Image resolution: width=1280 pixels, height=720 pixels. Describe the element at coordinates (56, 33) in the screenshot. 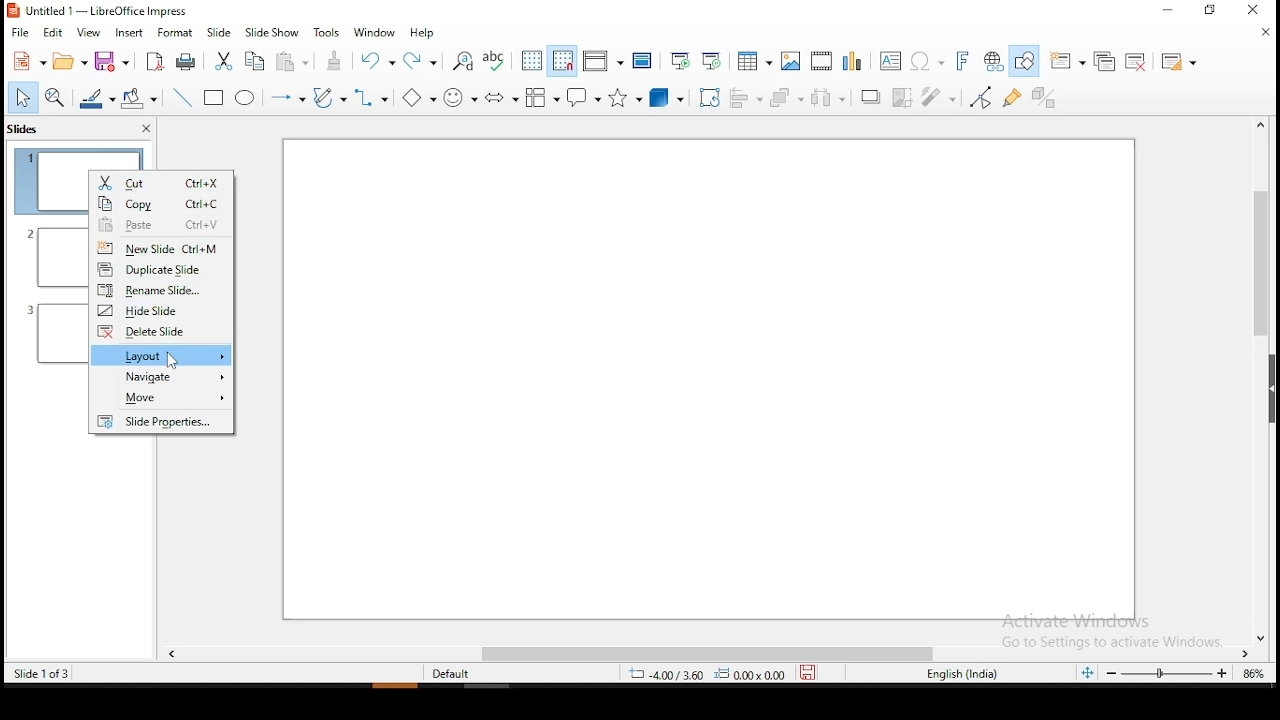

I see `edit` at that location.